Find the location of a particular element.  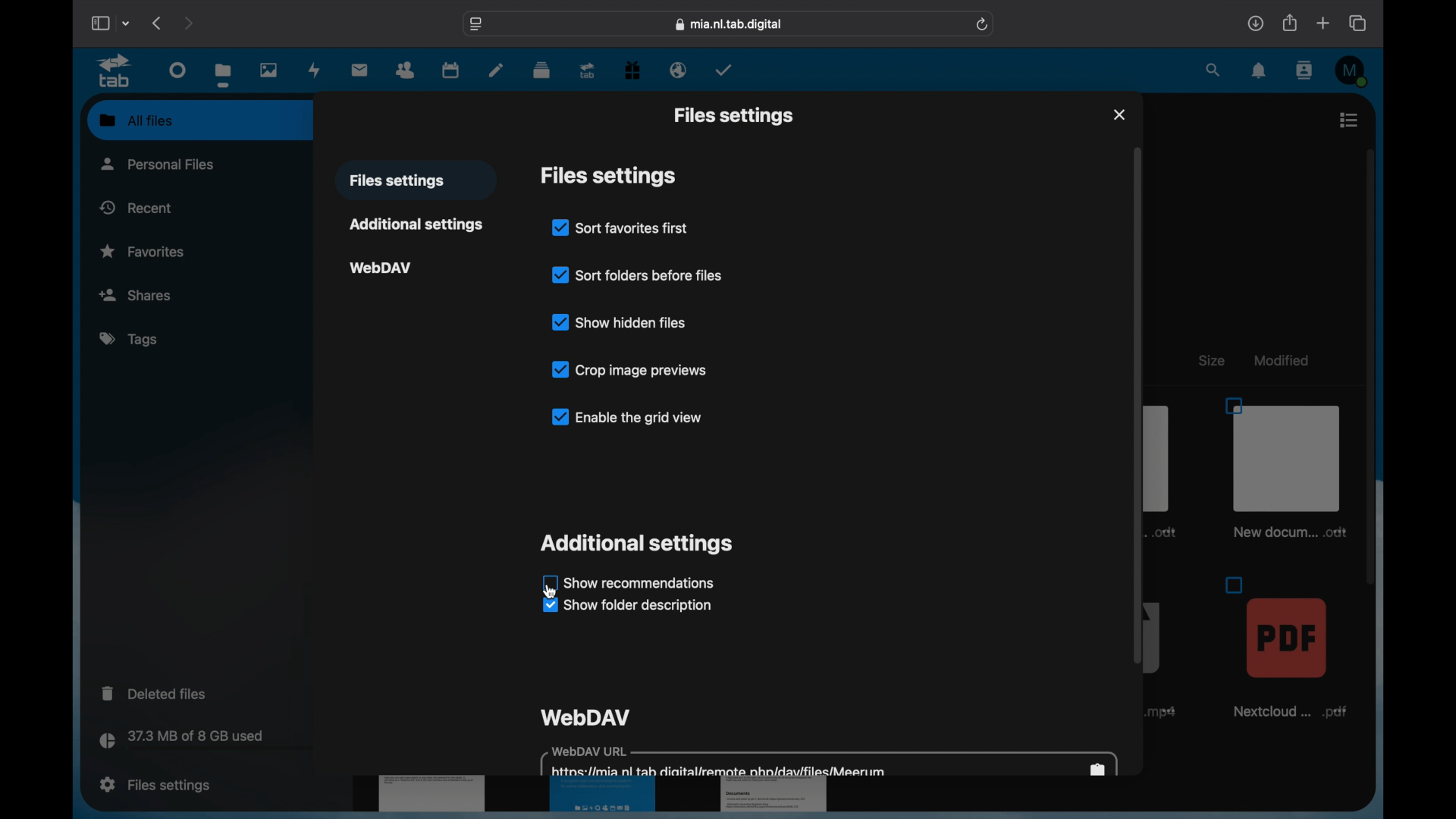

files settings is located at coordinates (608, 176).